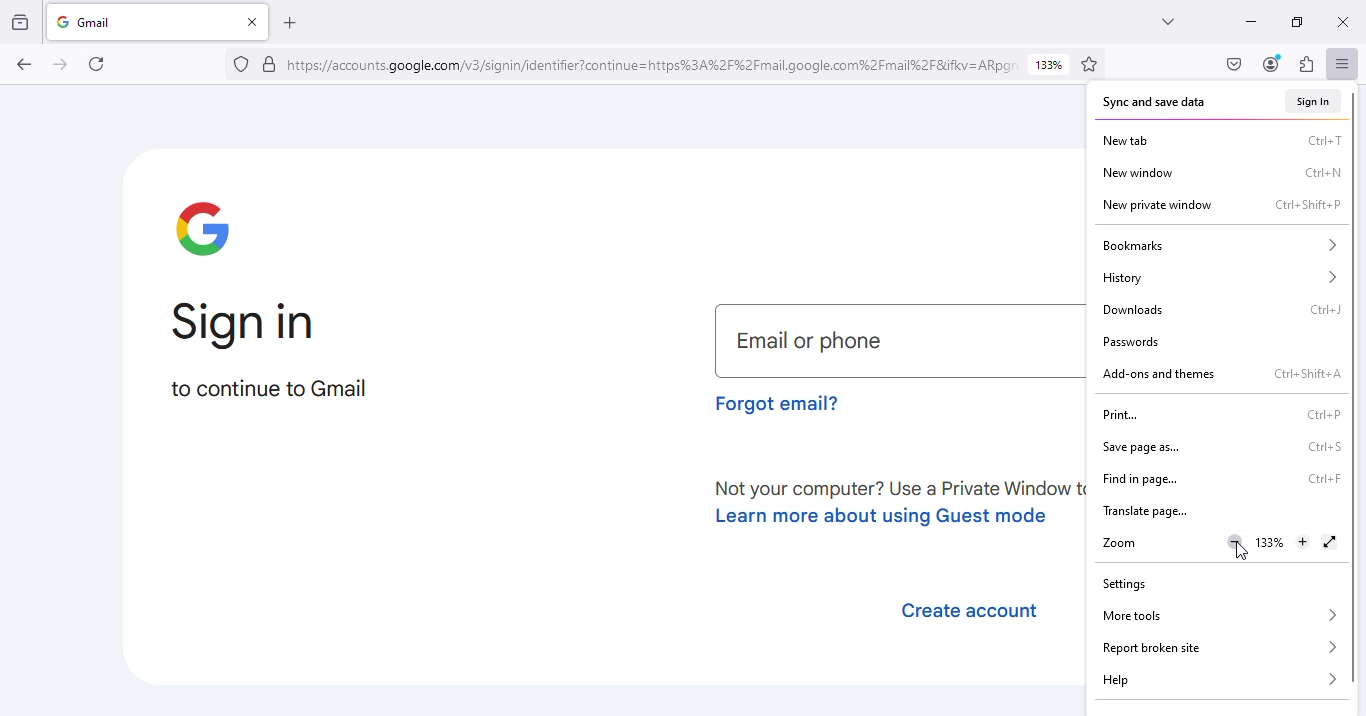 Image resolution: width=1366 pixels, height=716 pixels. I want to click on open application menu, so click(1344, 63).